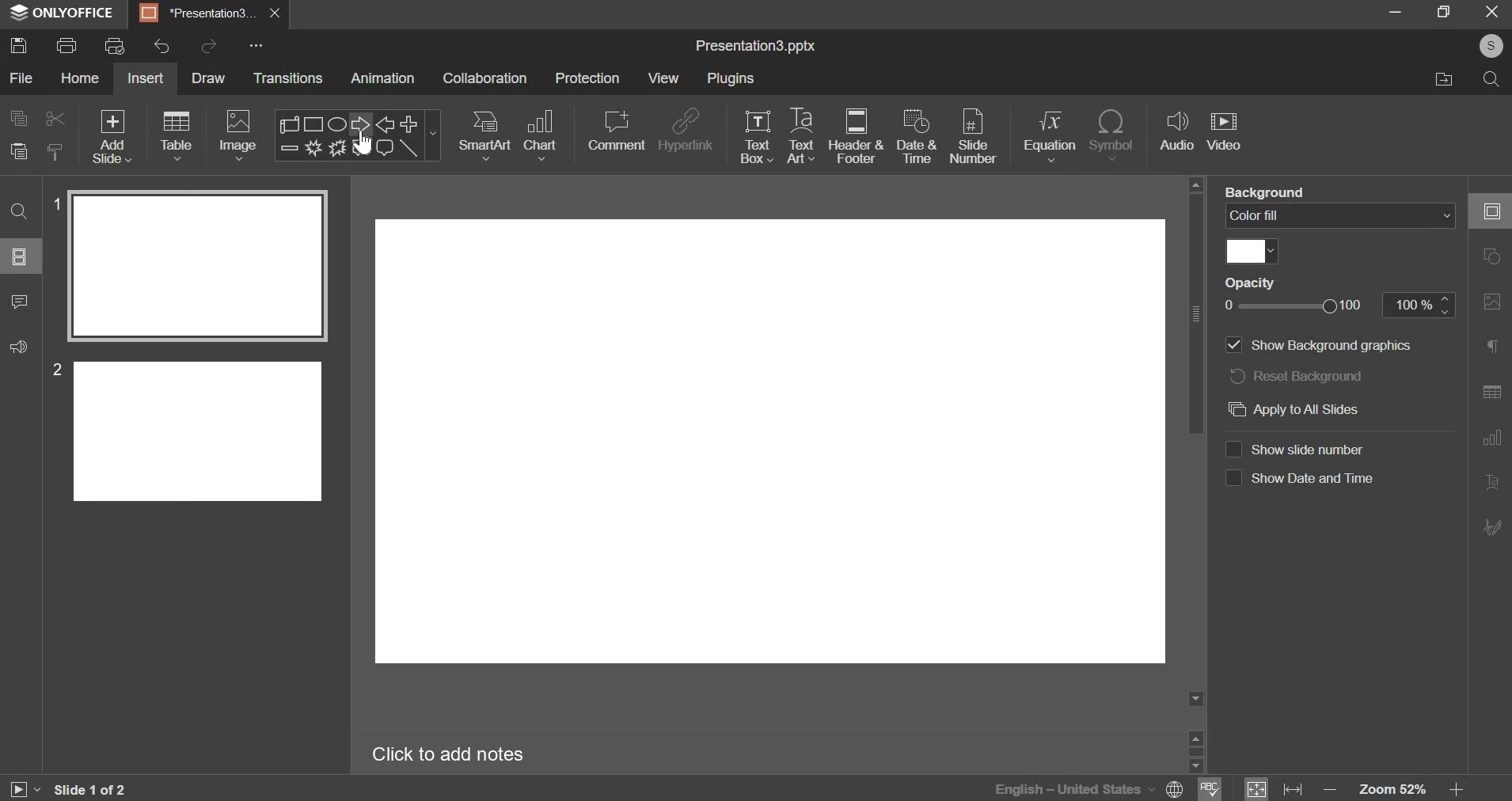  What do you see at coordinates (18, 151) in the screenshot?
I see `paste` at bounding box center [18, 151].